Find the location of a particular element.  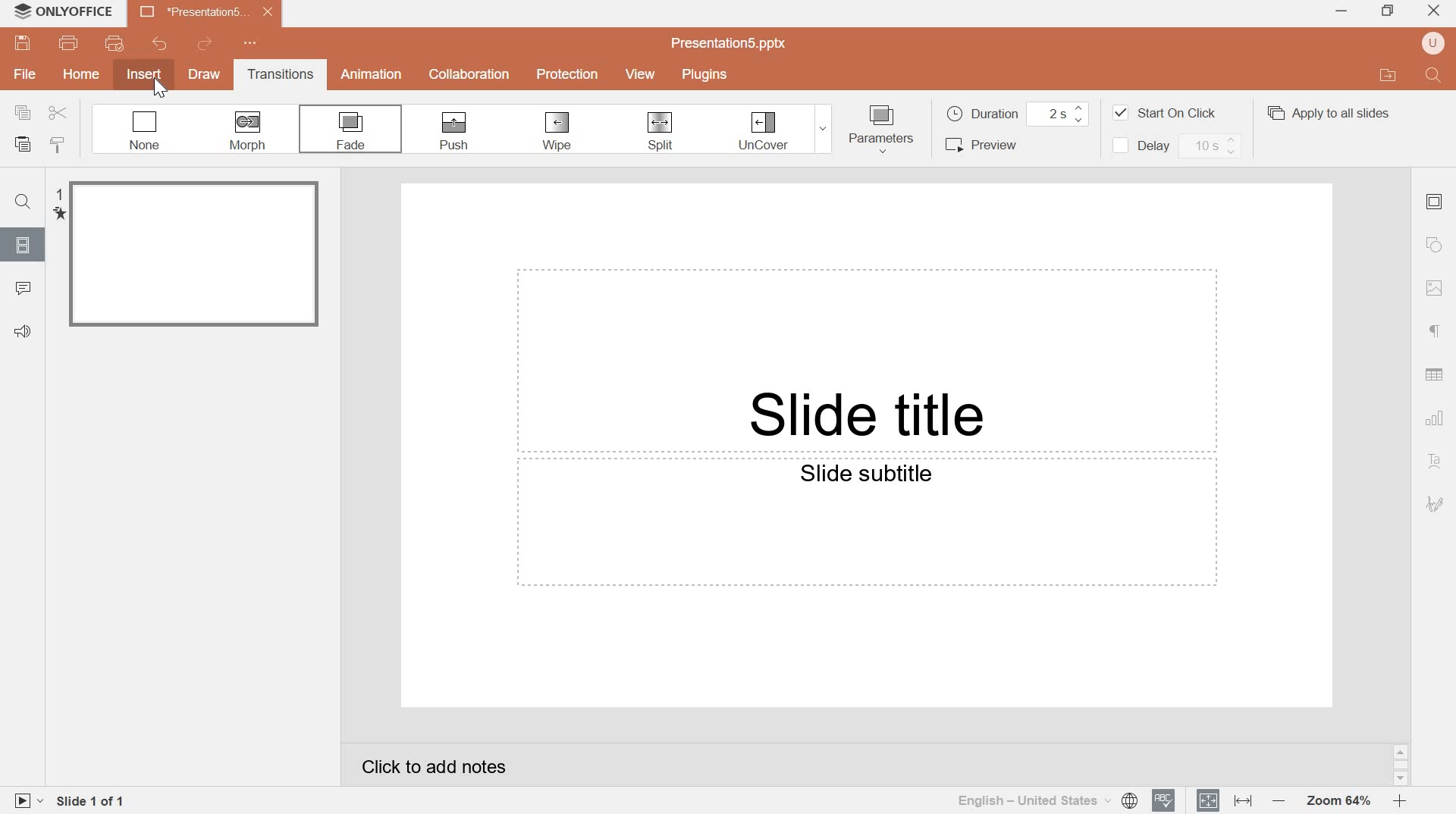

open file location is located at coordinates (1389, 74).